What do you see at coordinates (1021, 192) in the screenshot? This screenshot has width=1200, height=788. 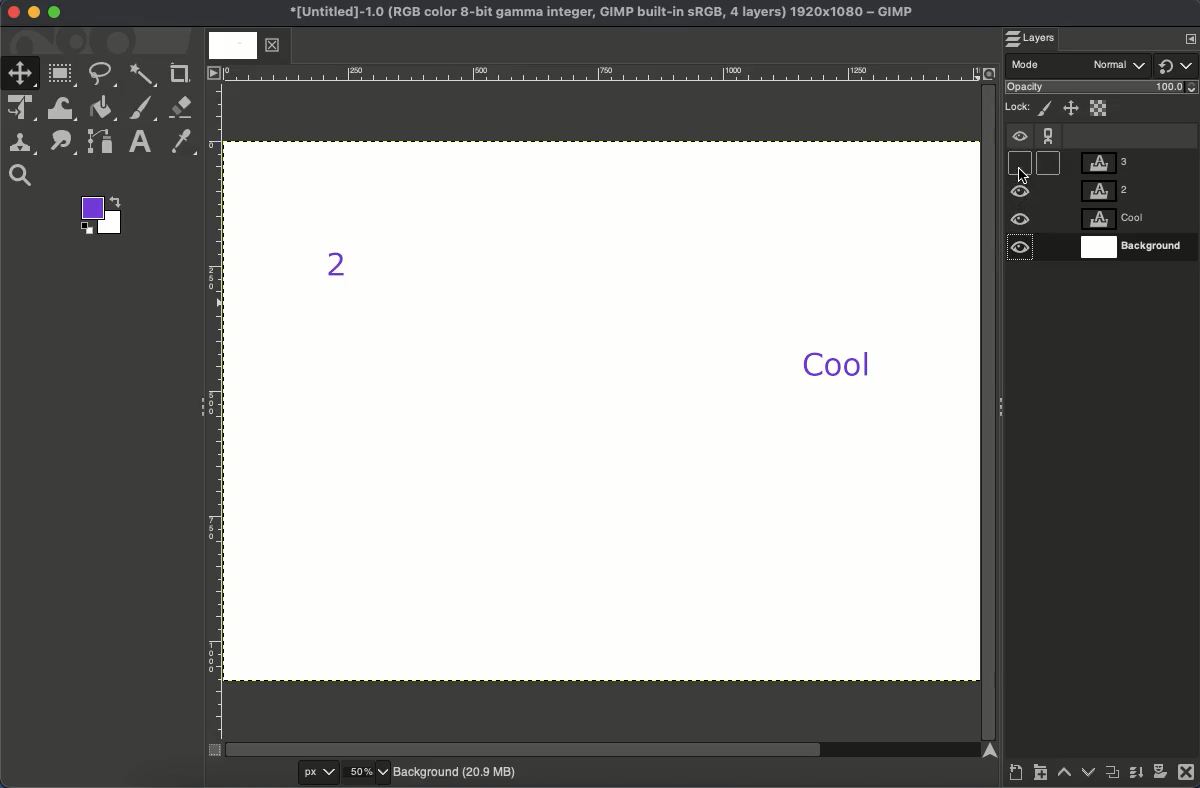 I see `Visible` at bounding box center [1021, 192].